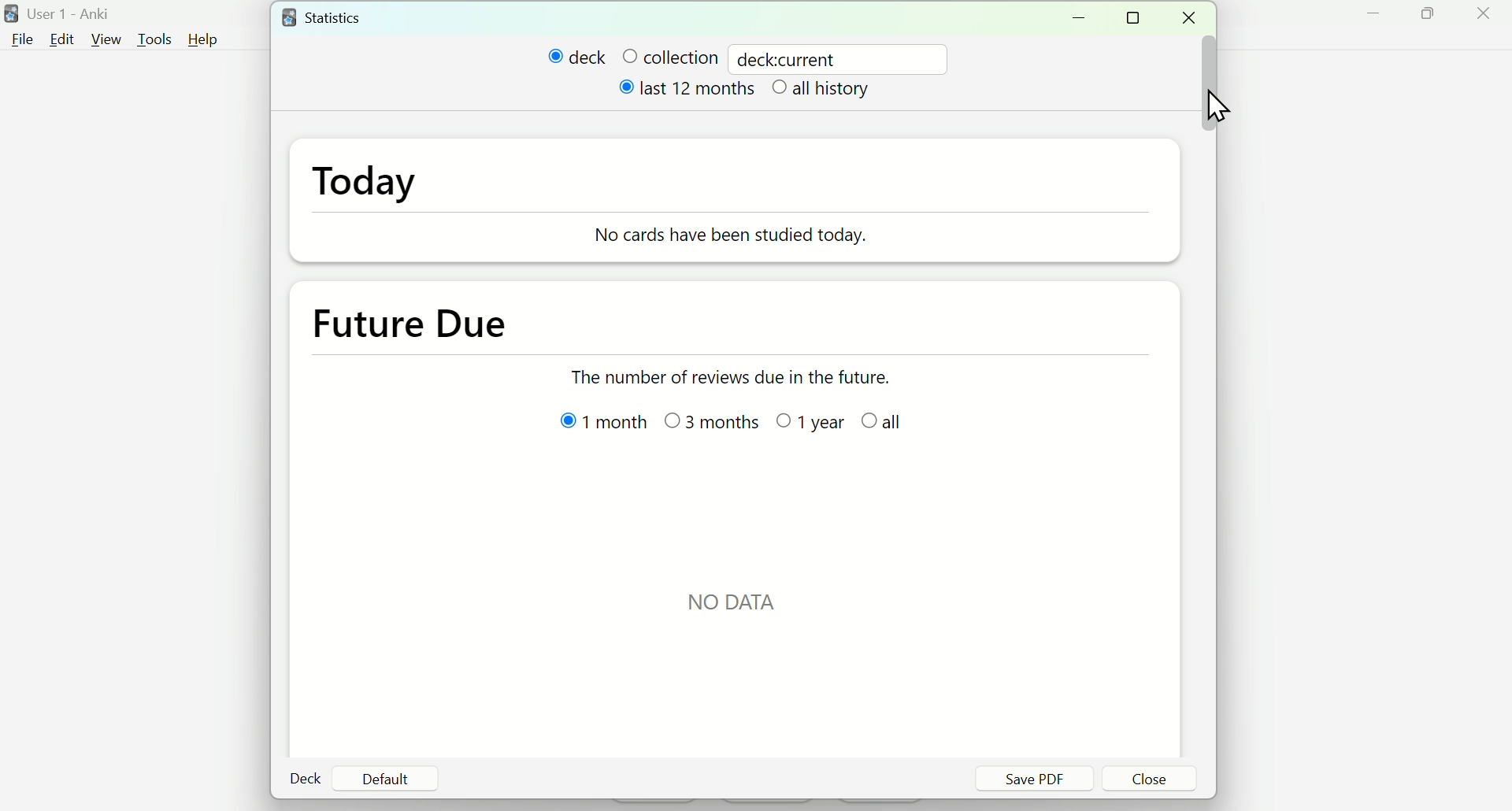  I want to click on Statistics, so click(339, 17).